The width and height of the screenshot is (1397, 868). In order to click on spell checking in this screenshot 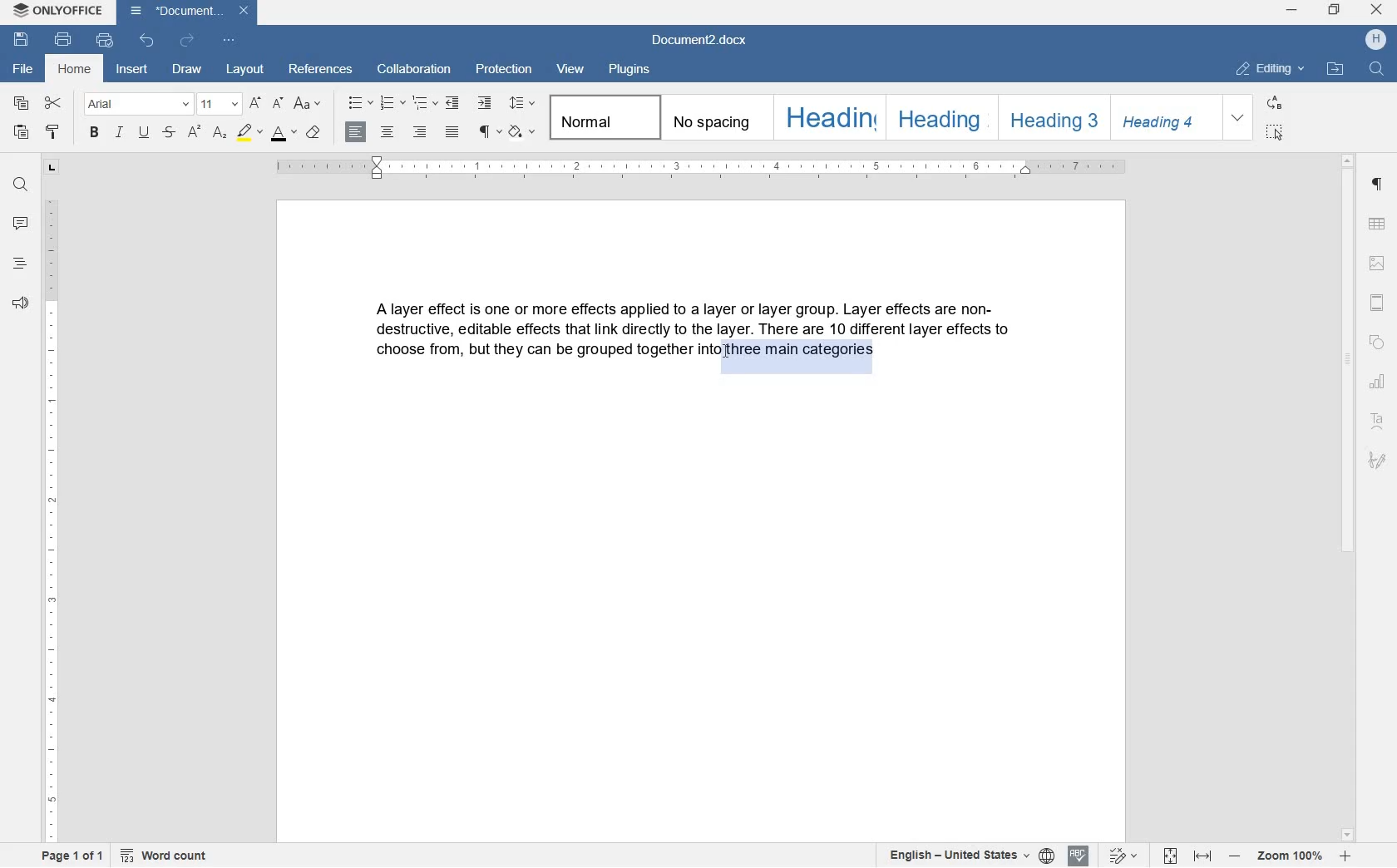, I will do `click(1079, 855)`.